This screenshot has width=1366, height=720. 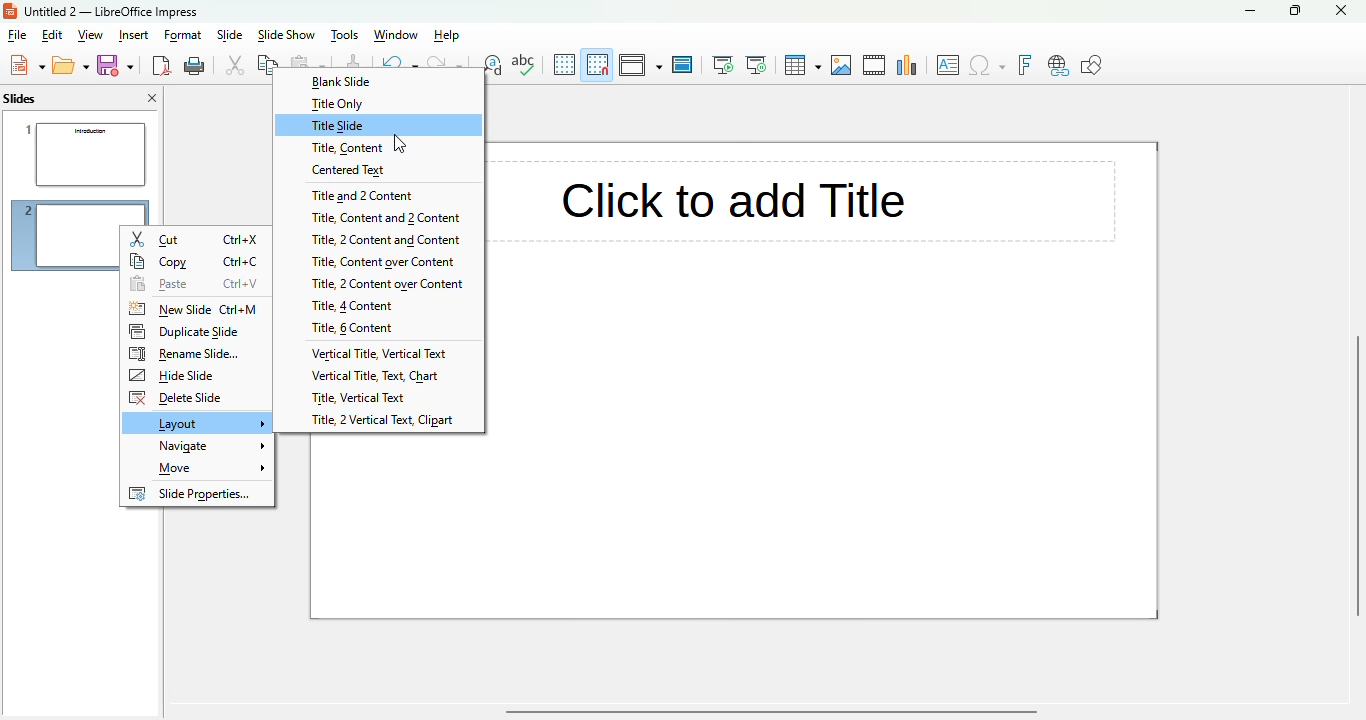 I want to click on delete slide, so click(x=196, y=398).